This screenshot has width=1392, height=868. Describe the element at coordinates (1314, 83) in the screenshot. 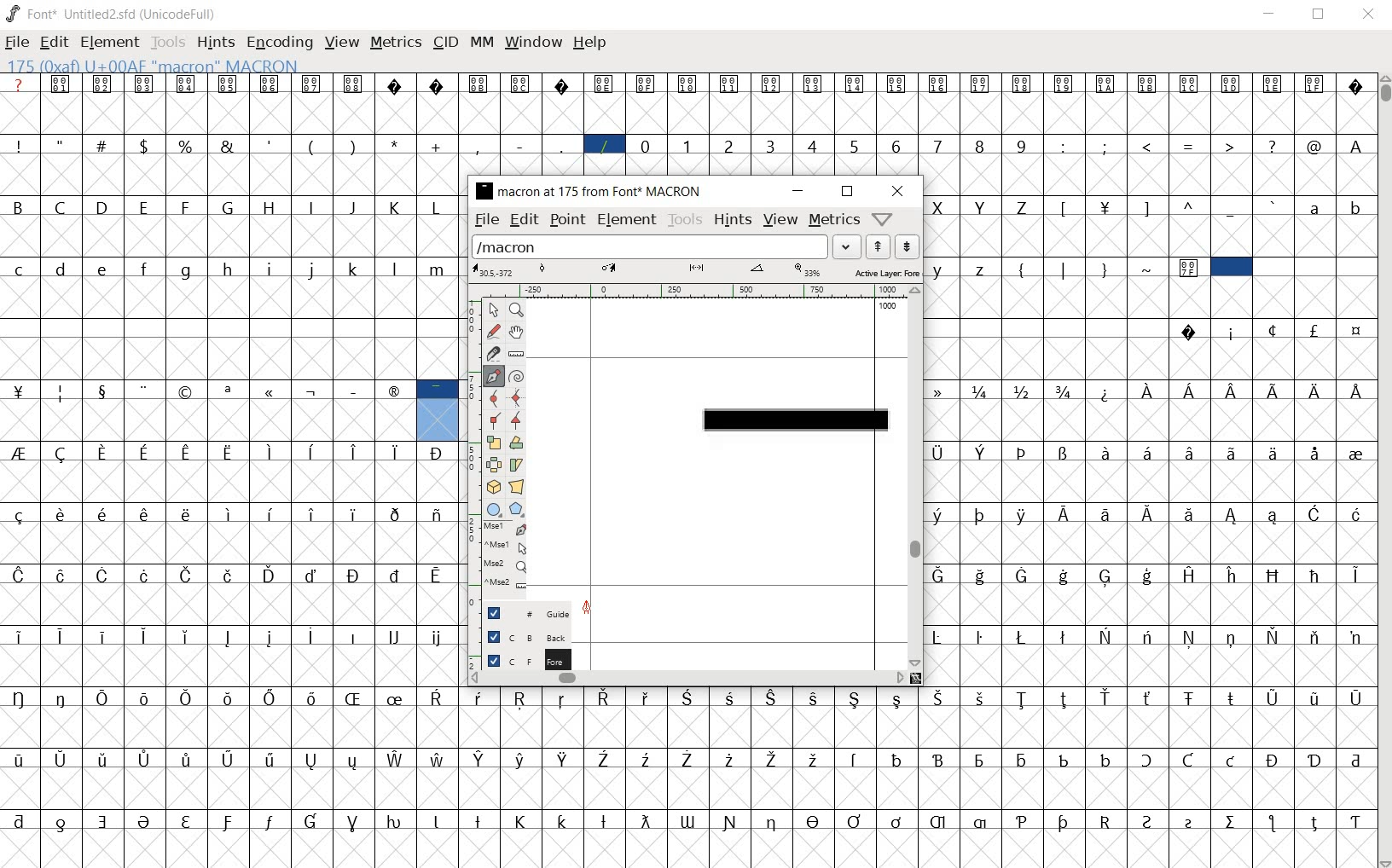

I see `Symbol` at that location.